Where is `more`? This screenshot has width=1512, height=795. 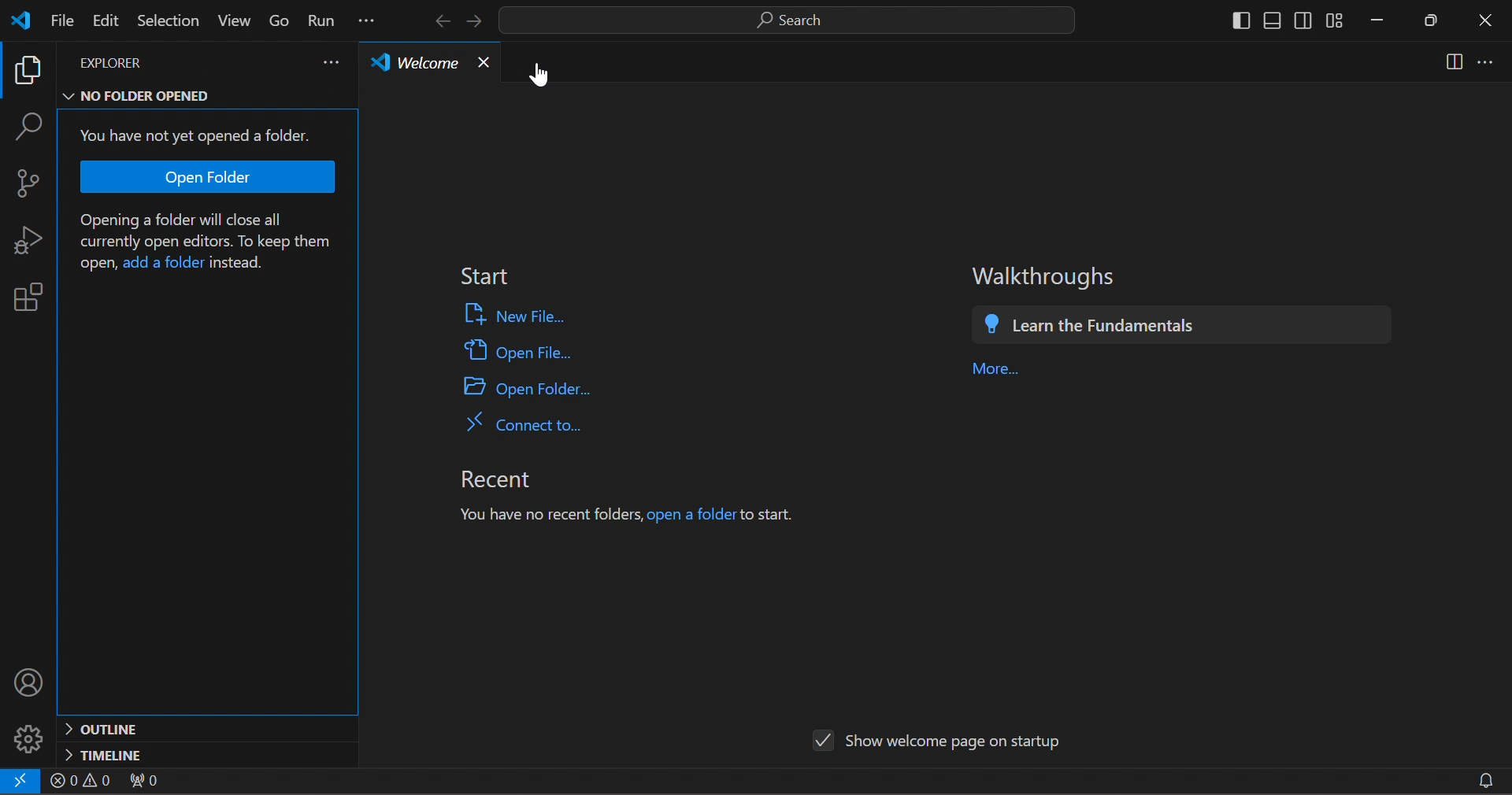
more is located at coordinates (1488, 62).